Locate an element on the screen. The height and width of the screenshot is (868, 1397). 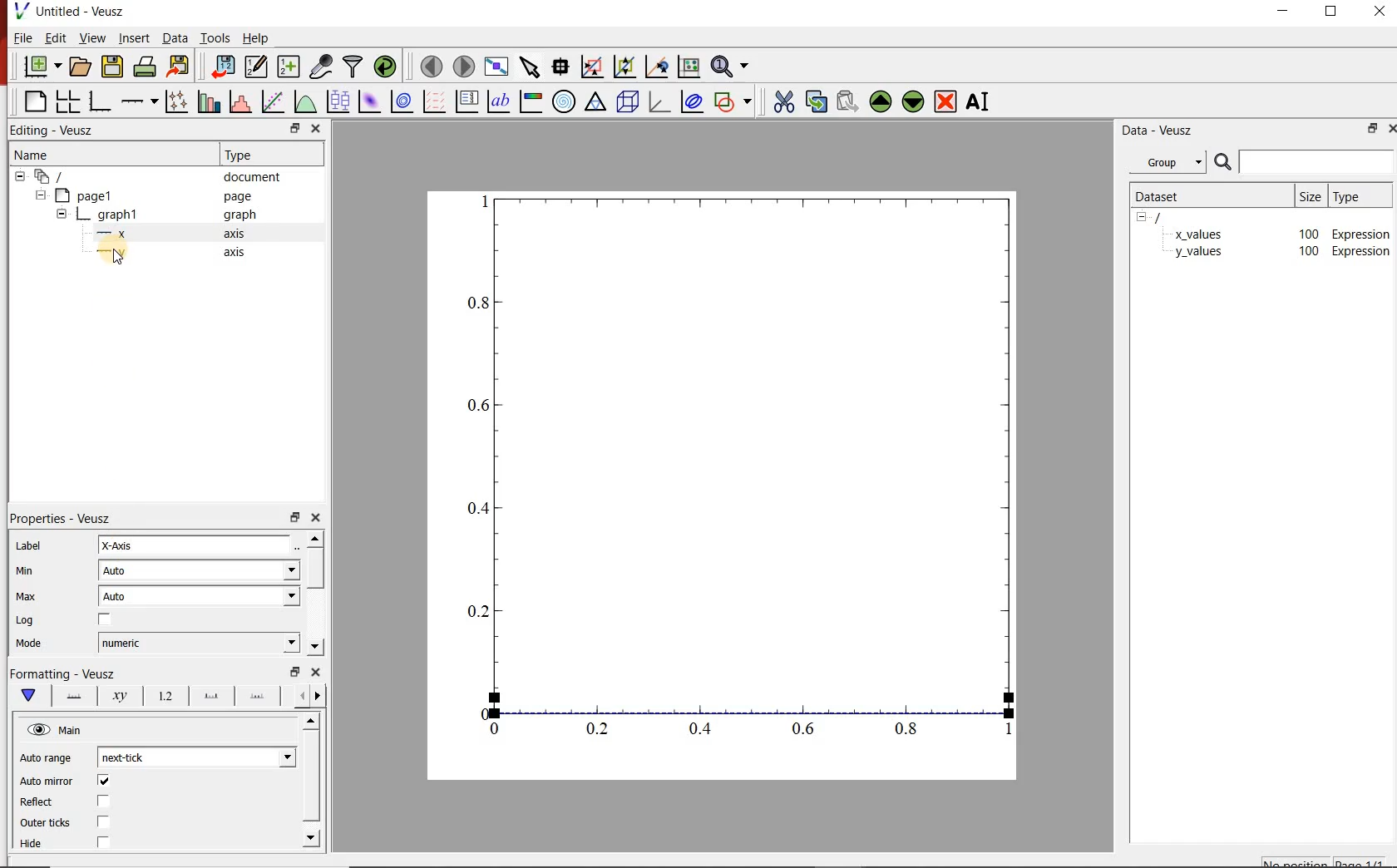
X-Axis is located at coordinates (195, 545).